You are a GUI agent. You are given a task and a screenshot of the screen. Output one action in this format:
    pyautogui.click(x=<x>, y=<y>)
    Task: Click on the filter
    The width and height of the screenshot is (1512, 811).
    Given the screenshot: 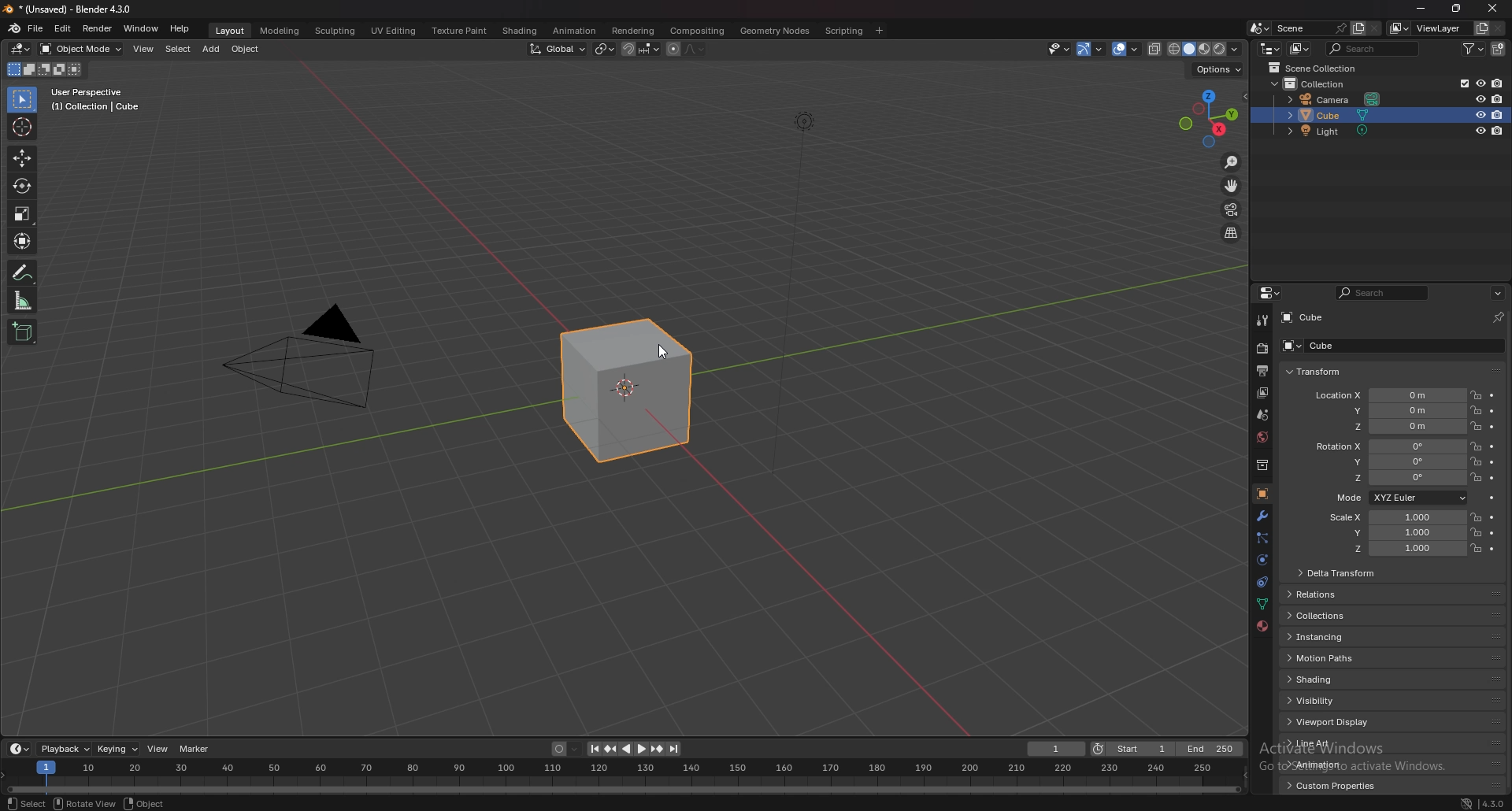 What is the action you would take?
    pyautogui.click(x=1475, y=48)
    